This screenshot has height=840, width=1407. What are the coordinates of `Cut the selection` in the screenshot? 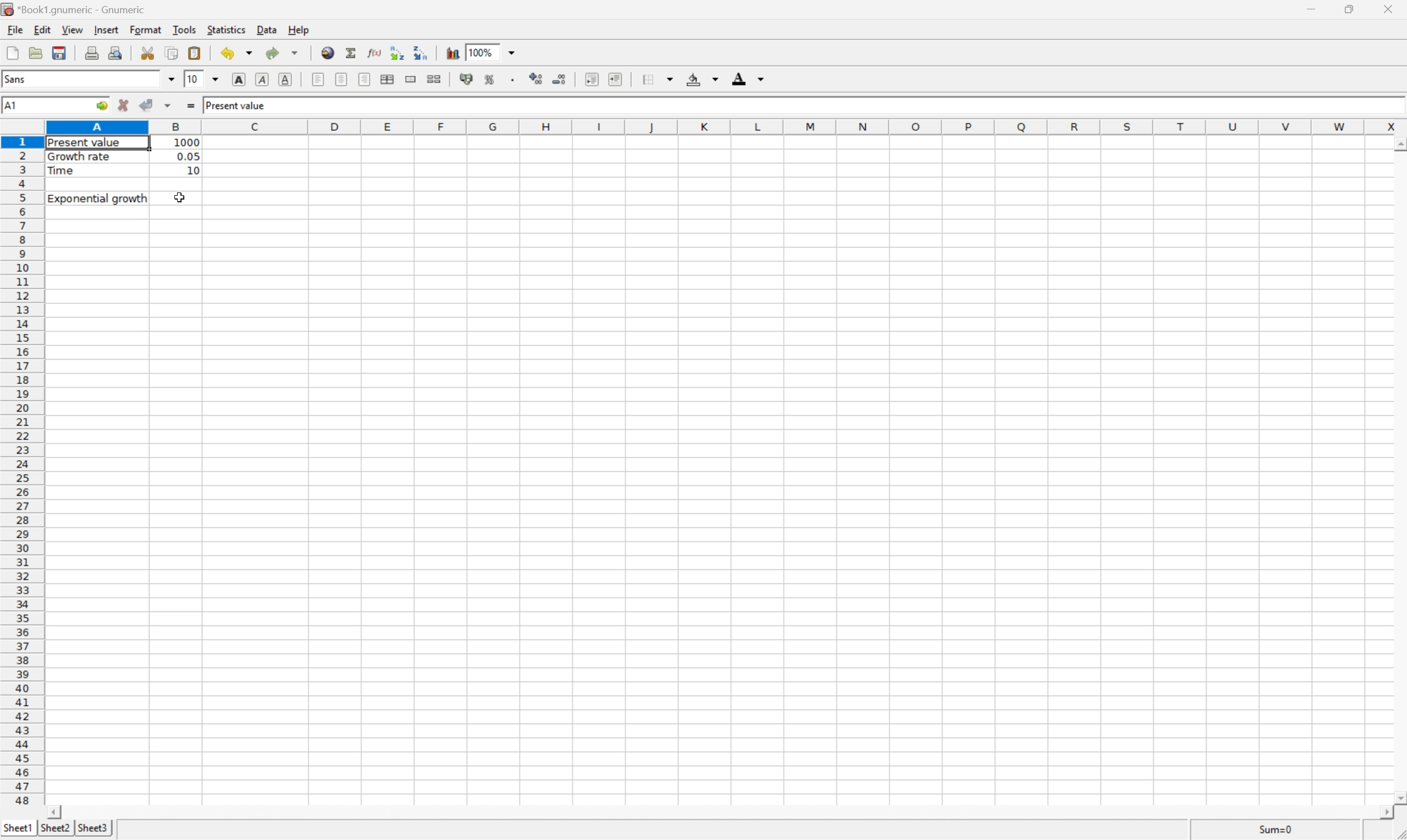 It's located at (148, 52).